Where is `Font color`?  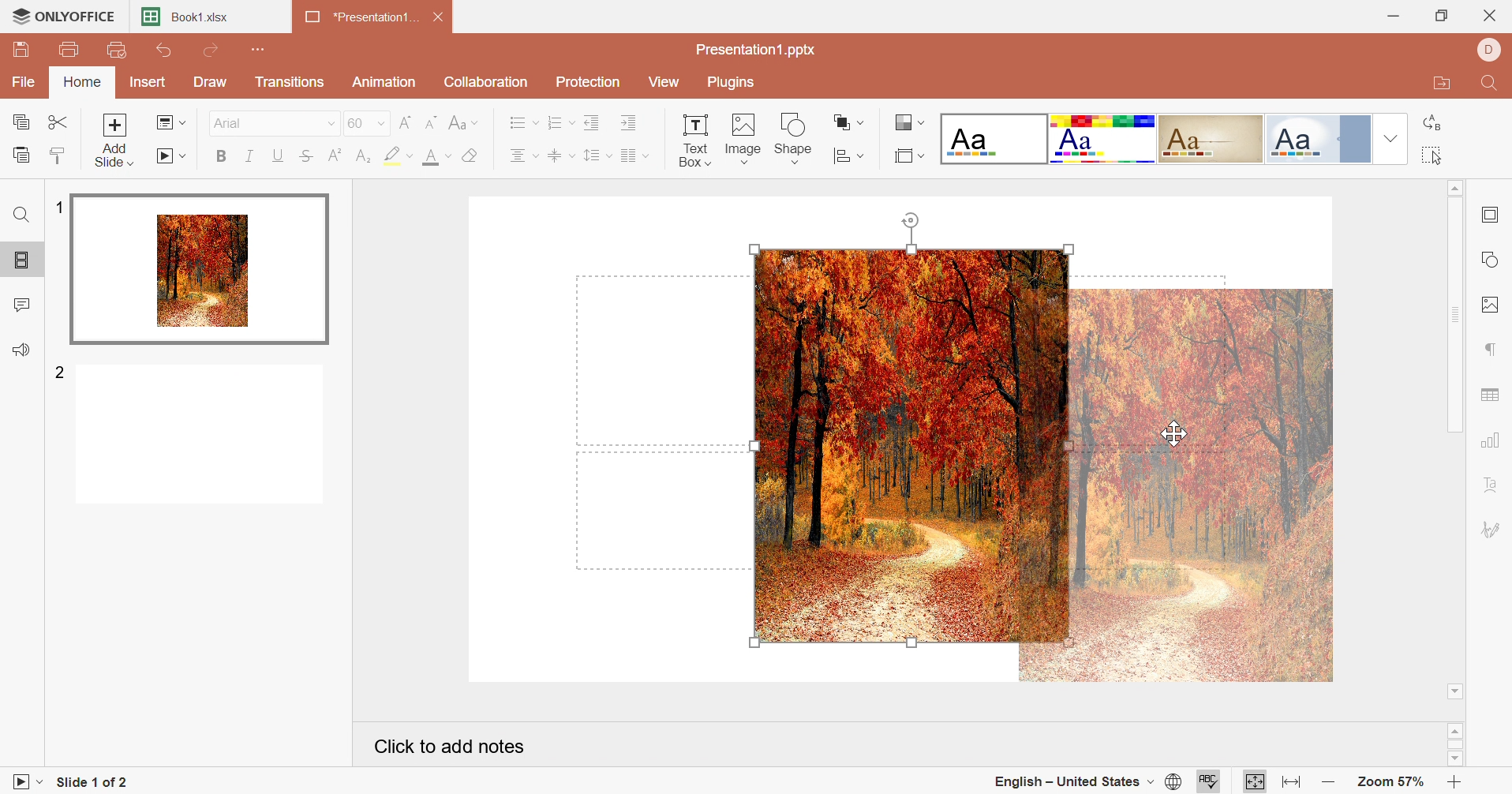
Font color is located at coordinates (432, 158).